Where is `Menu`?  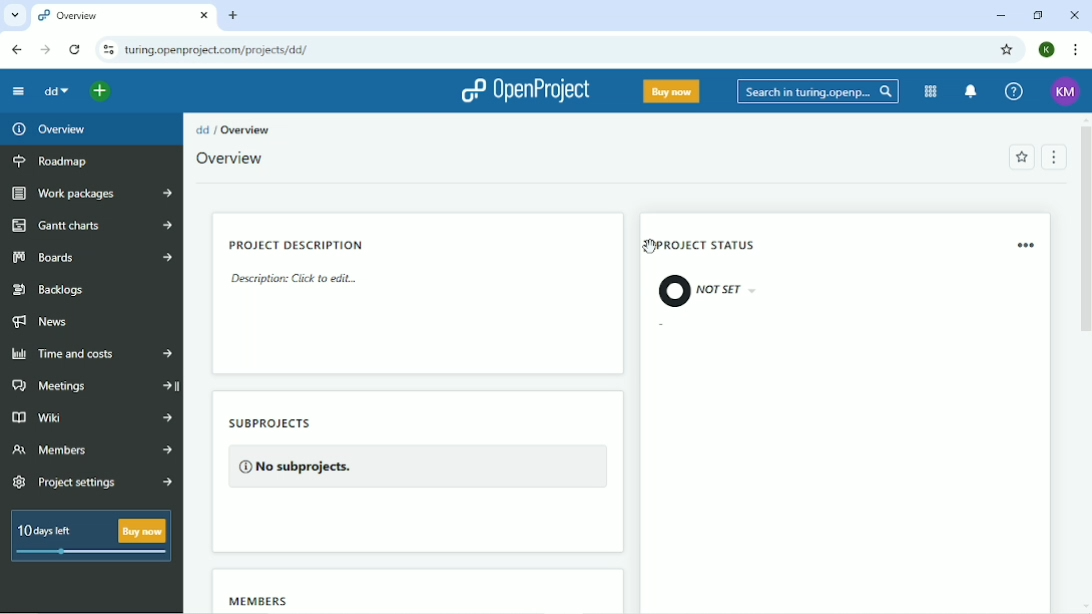
Menu is located at coordinates (1053, 156).